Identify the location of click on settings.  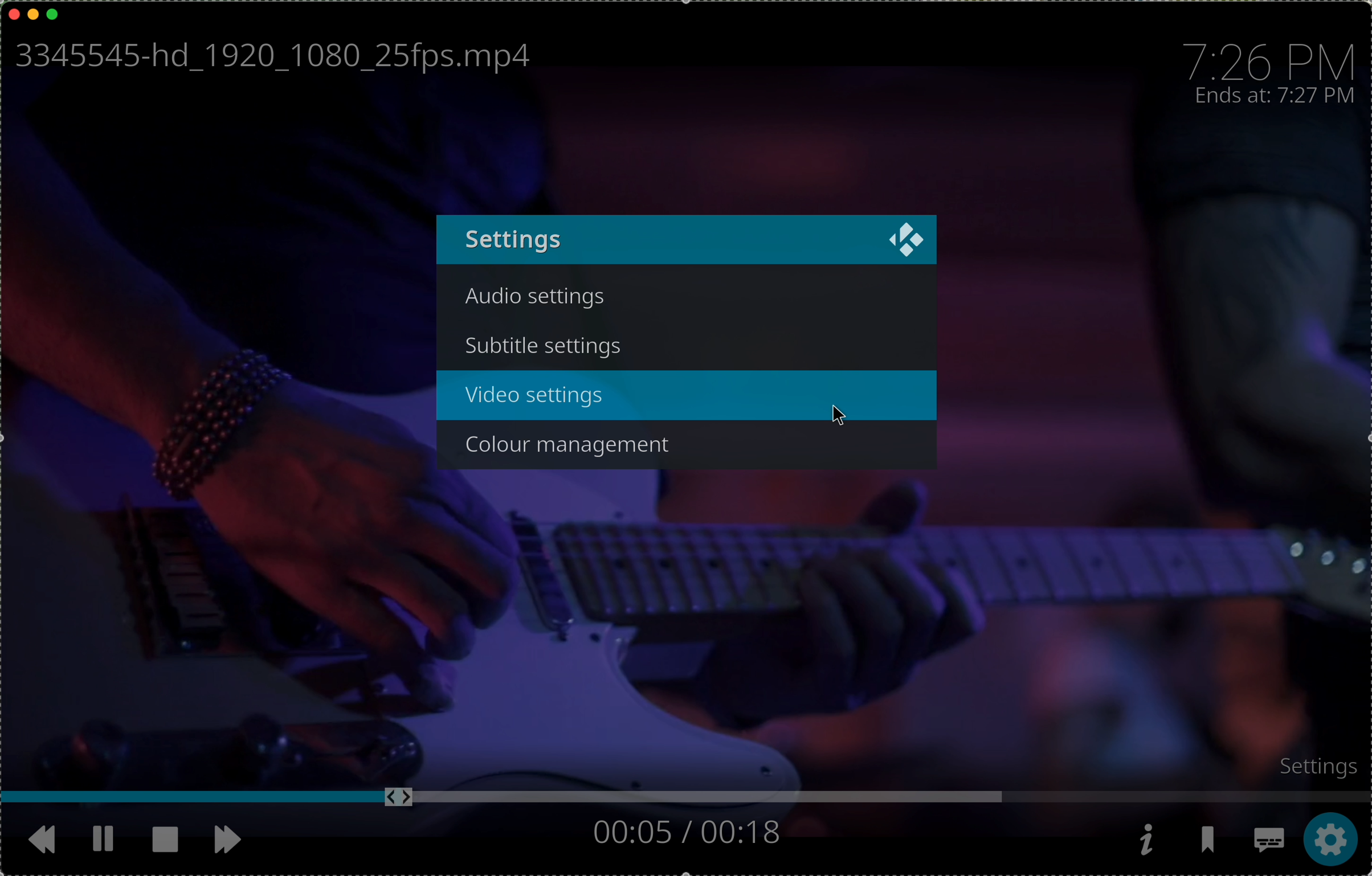
(1330, 840).